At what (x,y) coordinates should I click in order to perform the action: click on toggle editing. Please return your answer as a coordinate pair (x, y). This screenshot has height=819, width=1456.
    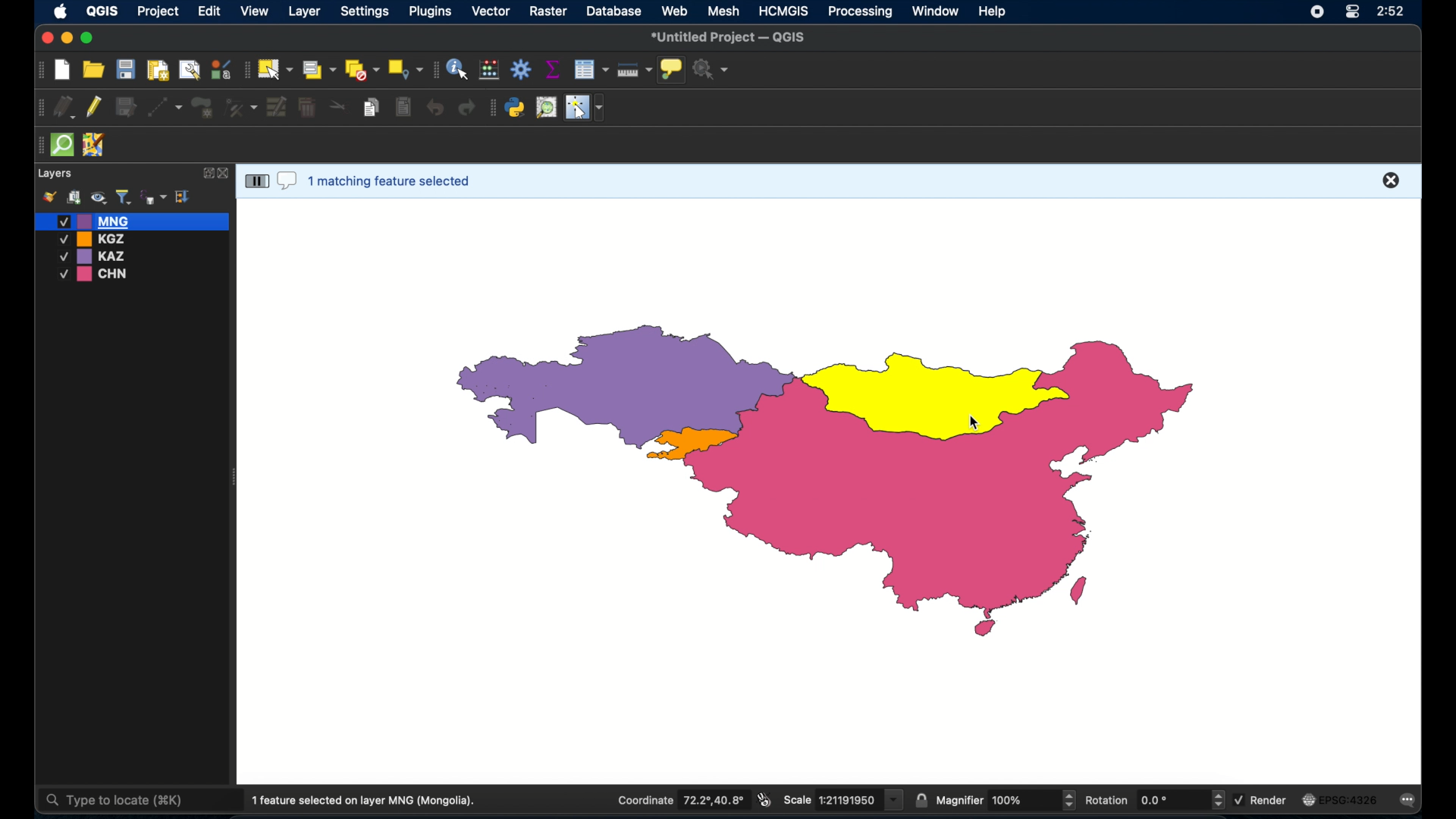
    Looking at the image, I should click on (96, 108).